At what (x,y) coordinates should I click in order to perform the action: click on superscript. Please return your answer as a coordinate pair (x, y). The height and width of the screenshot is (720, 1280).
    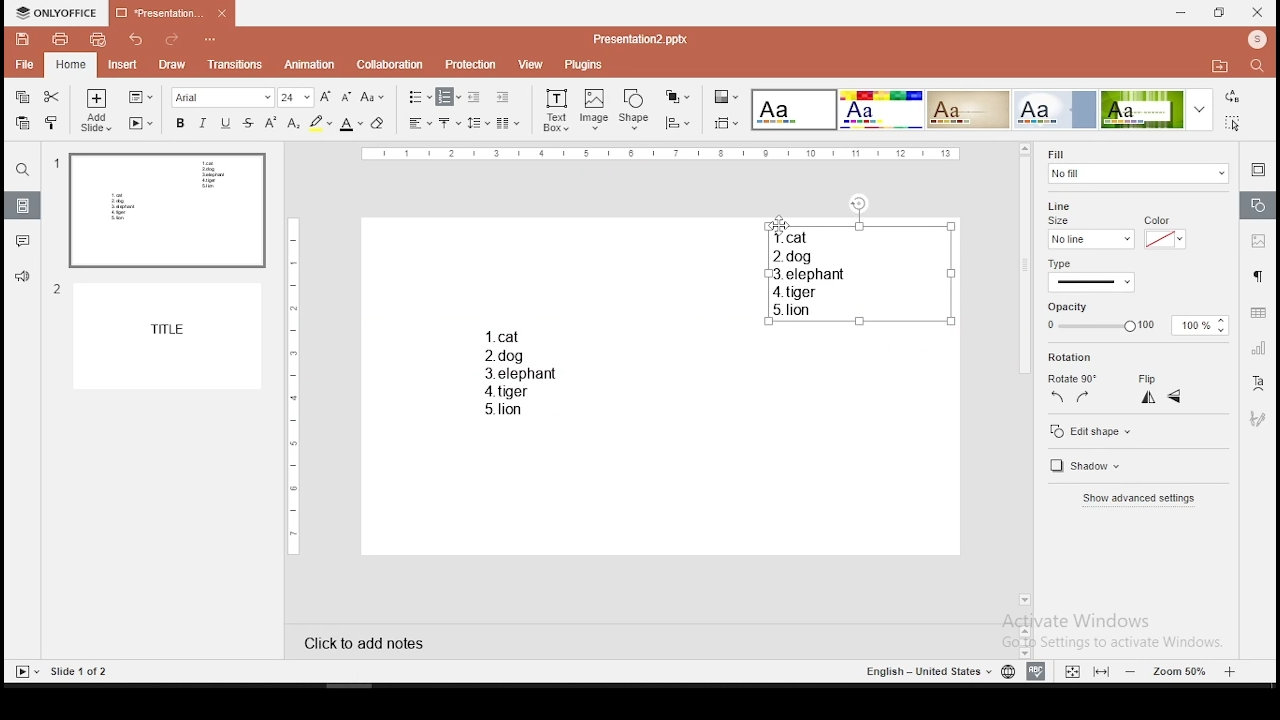
    Looking at the image, I should click on (271, 123).